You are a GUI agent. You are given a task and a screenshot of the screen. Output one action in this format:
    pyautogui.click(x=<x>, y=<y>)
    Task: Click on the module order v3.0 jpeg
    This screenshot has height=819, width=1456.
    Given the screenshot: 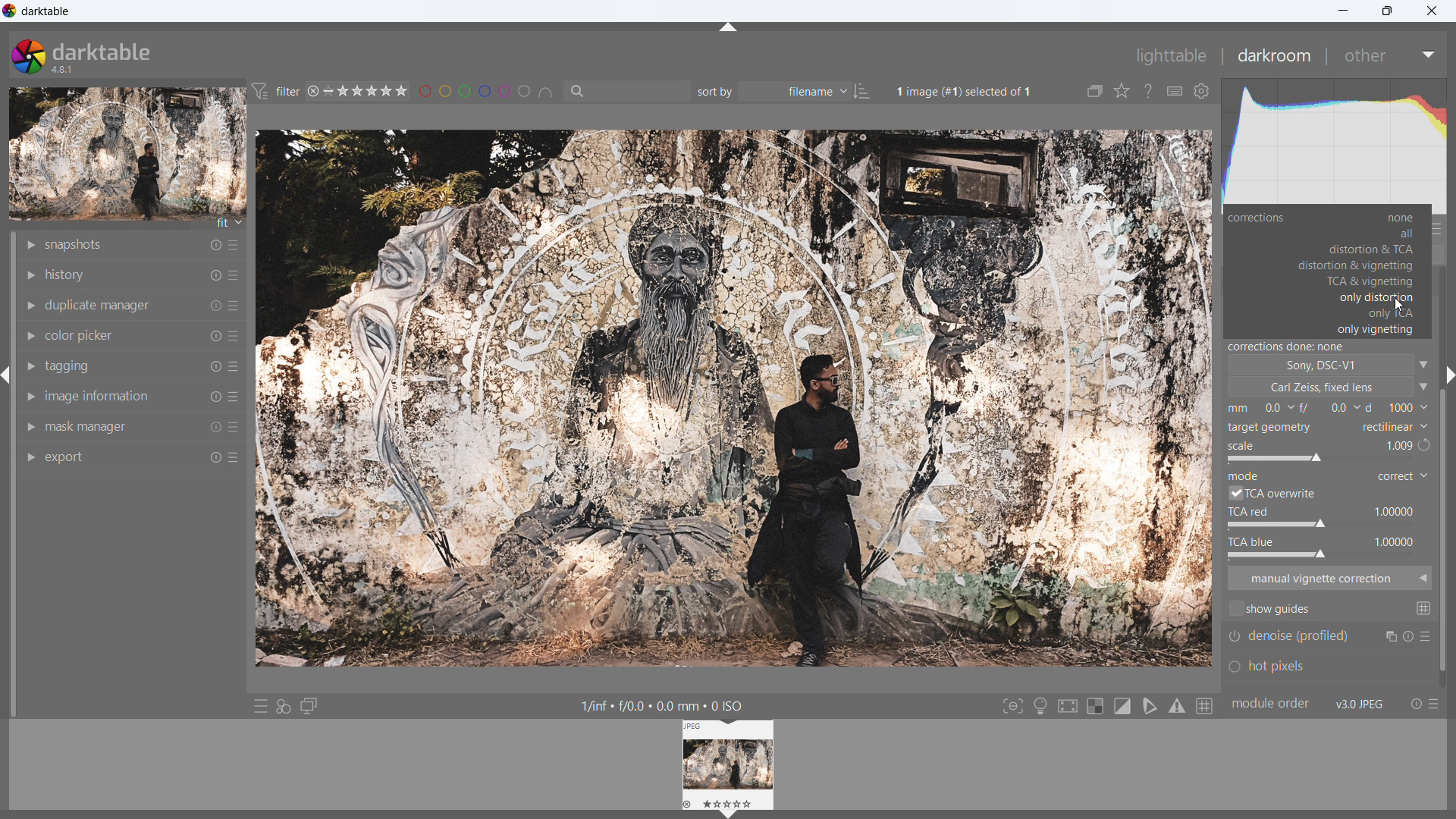 What is the action you would take?
    pyautogui.click(x=1310, y=702)
    